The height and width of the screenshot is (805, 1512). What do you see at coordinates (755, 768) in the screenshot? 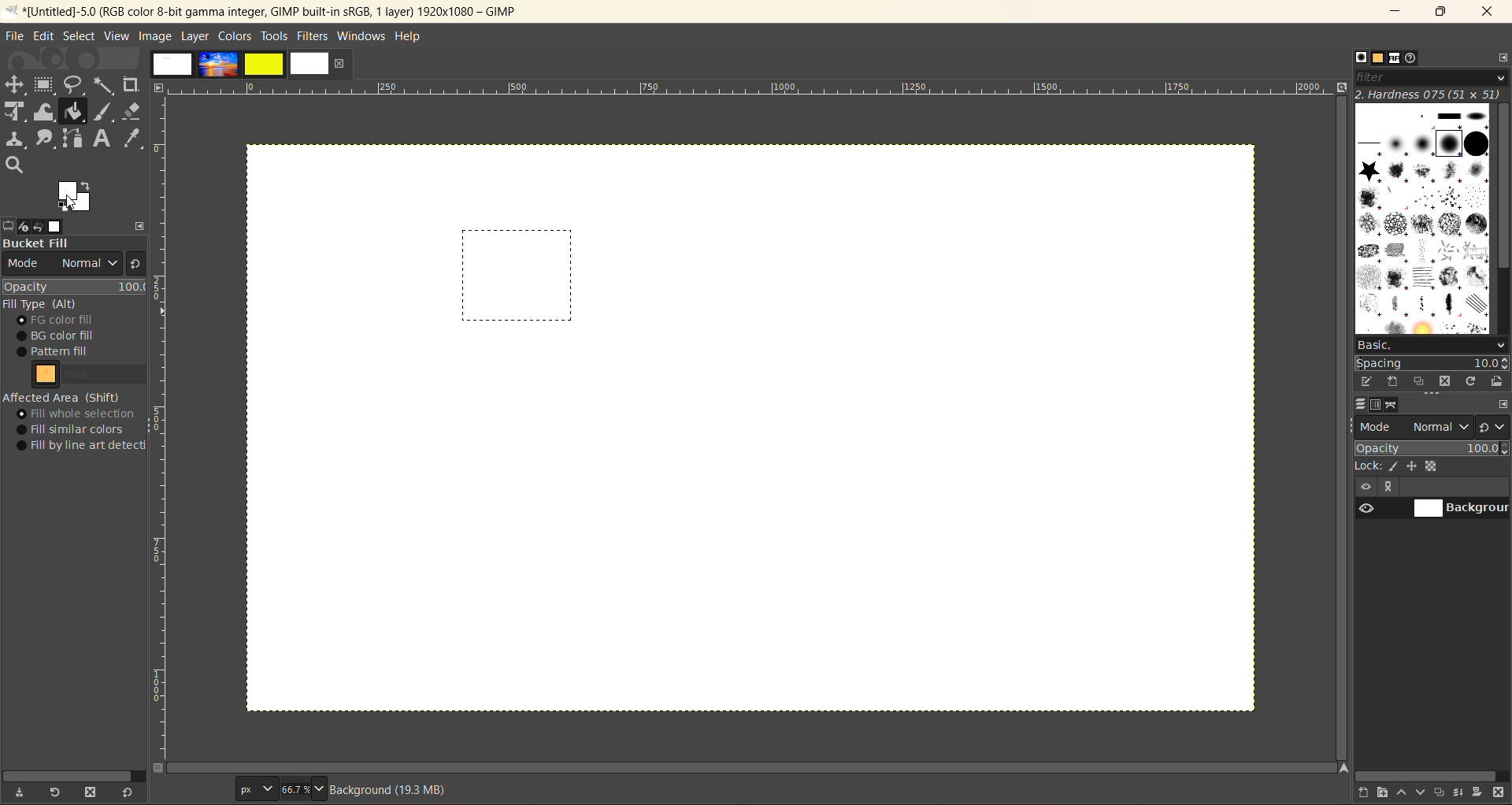
I see `scroll bar` at bounding box center [755, 768].